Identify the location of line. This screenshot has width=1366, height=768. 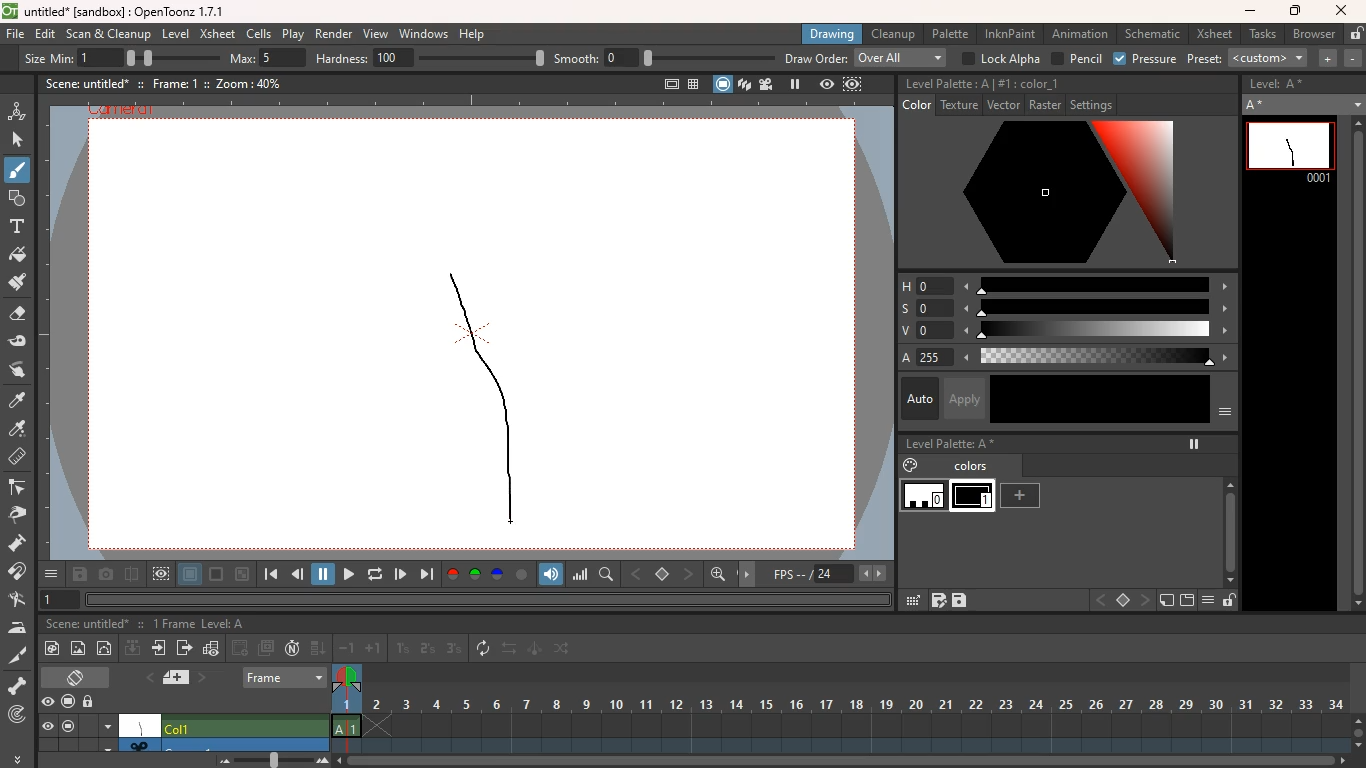
(484, 396).